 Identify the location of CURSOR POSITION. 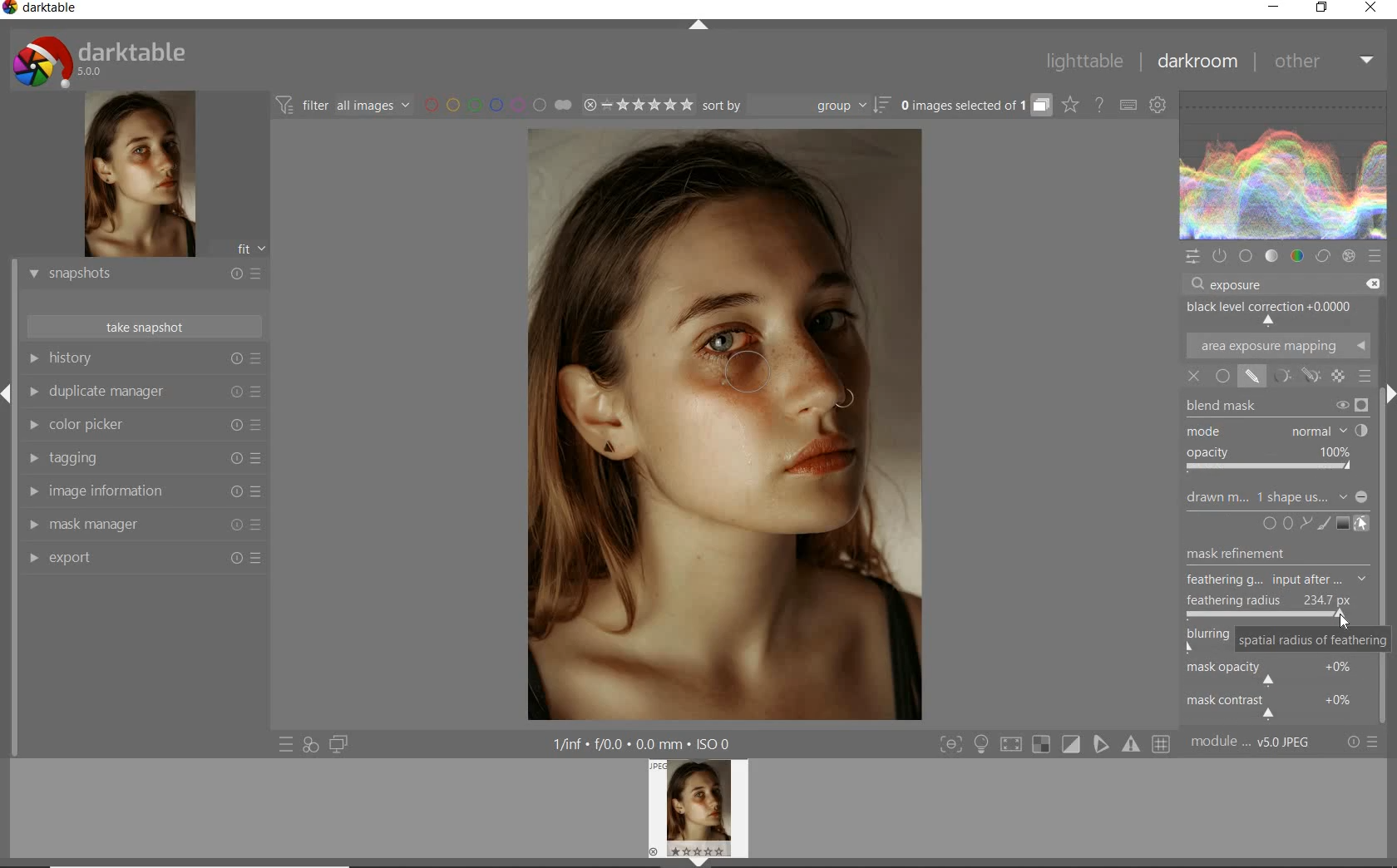
(1345, 623).